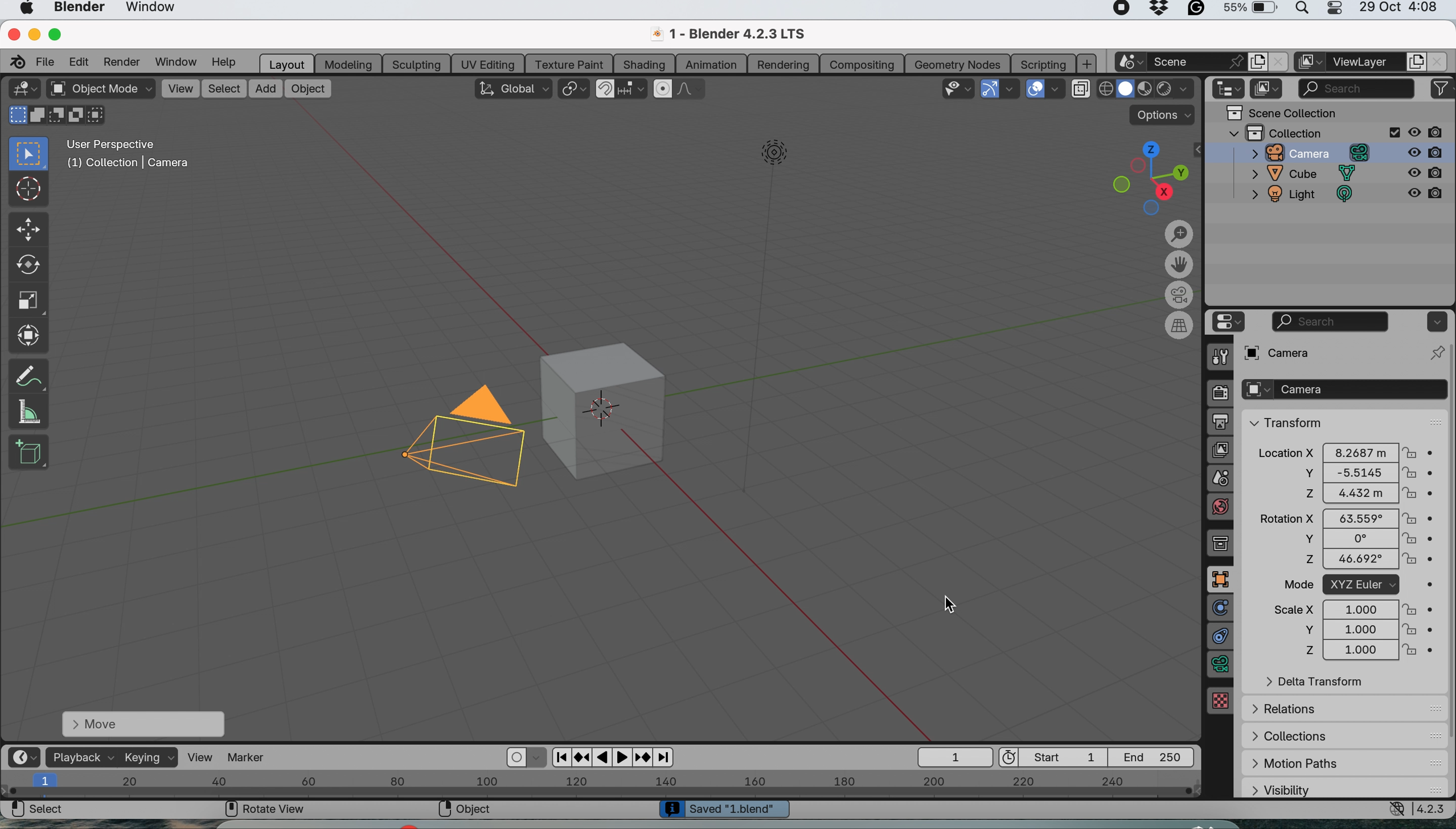  I want to click on playback options, so click(617, 758).